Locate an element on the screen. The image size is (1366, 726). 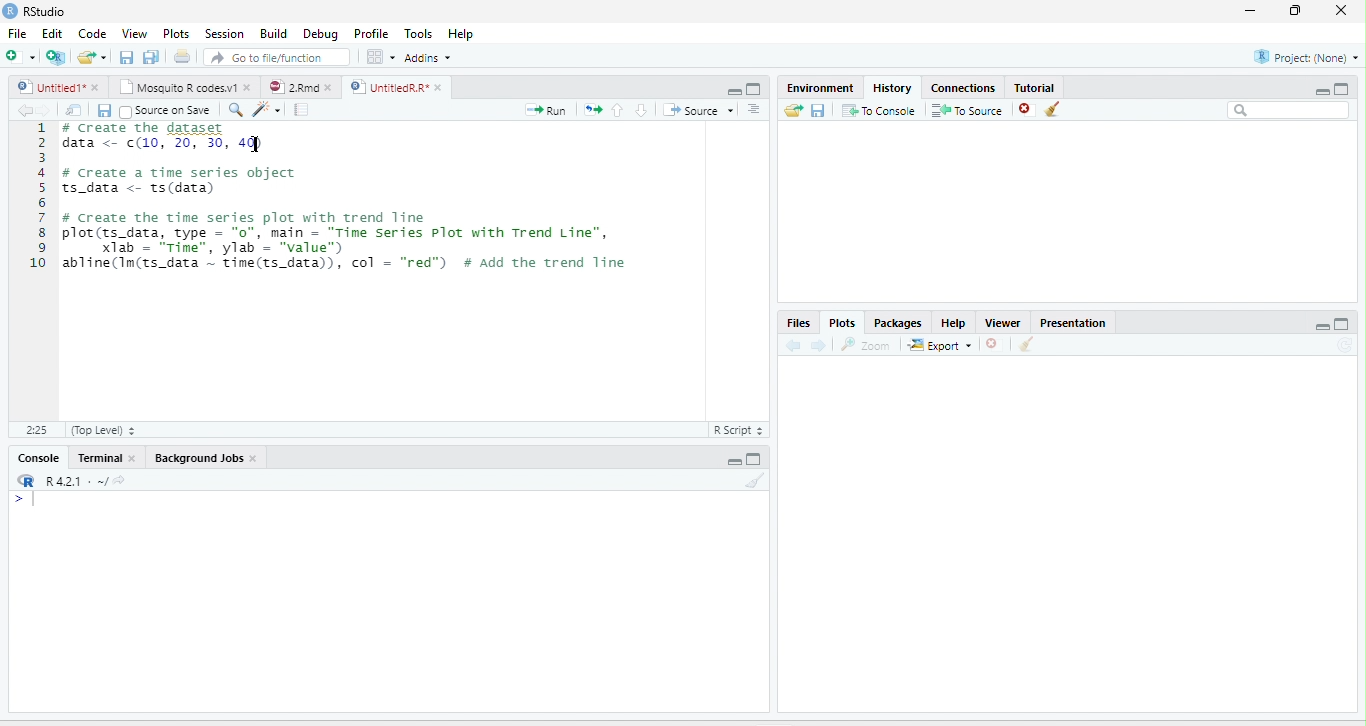
Code tools is located at coordinates (266, 109).